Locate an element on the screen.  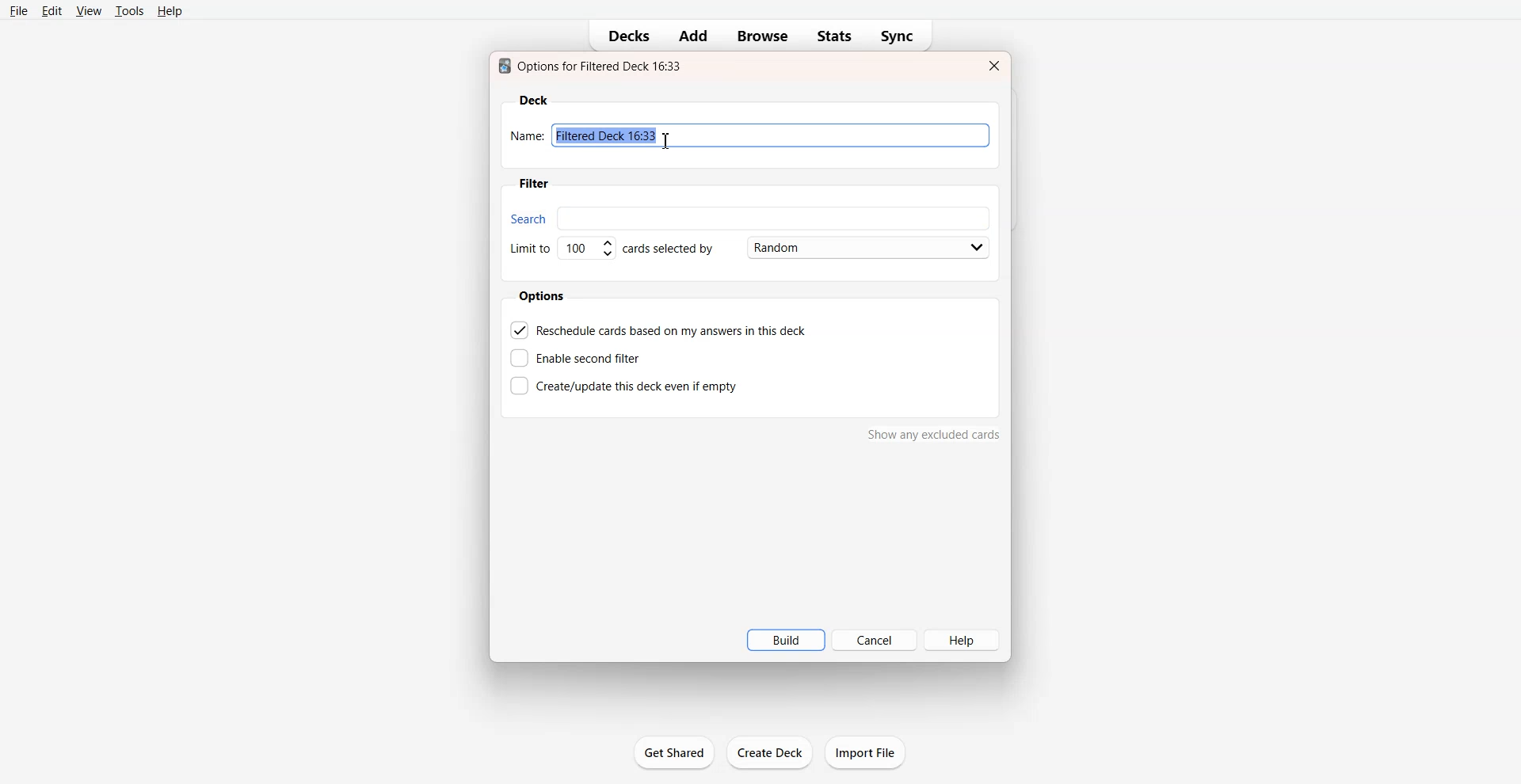
Set Limit is located at coordinates (561, 249).